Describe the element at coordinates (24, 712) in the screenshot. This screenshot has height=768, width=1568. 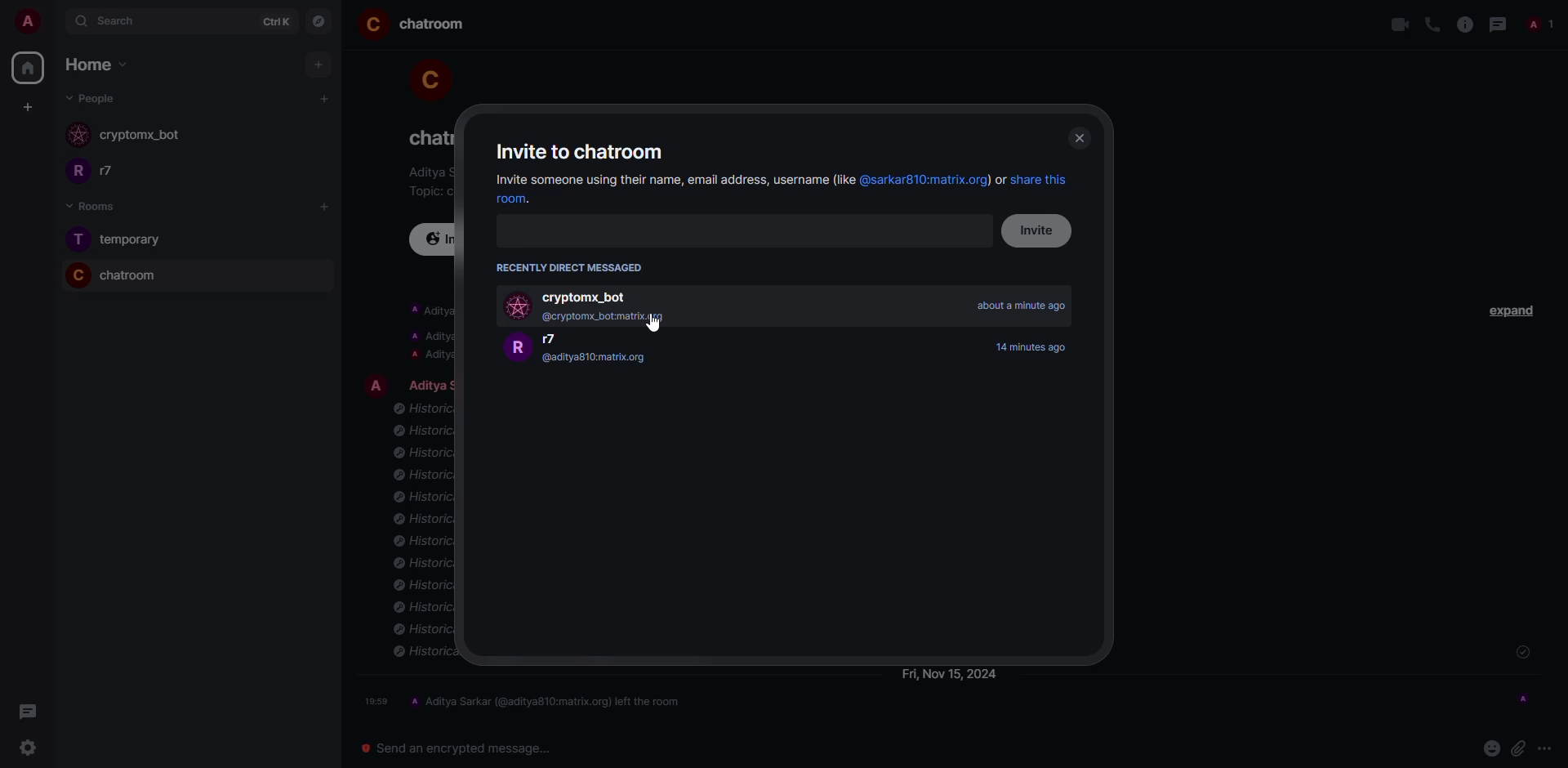
I see `threads` at that location.